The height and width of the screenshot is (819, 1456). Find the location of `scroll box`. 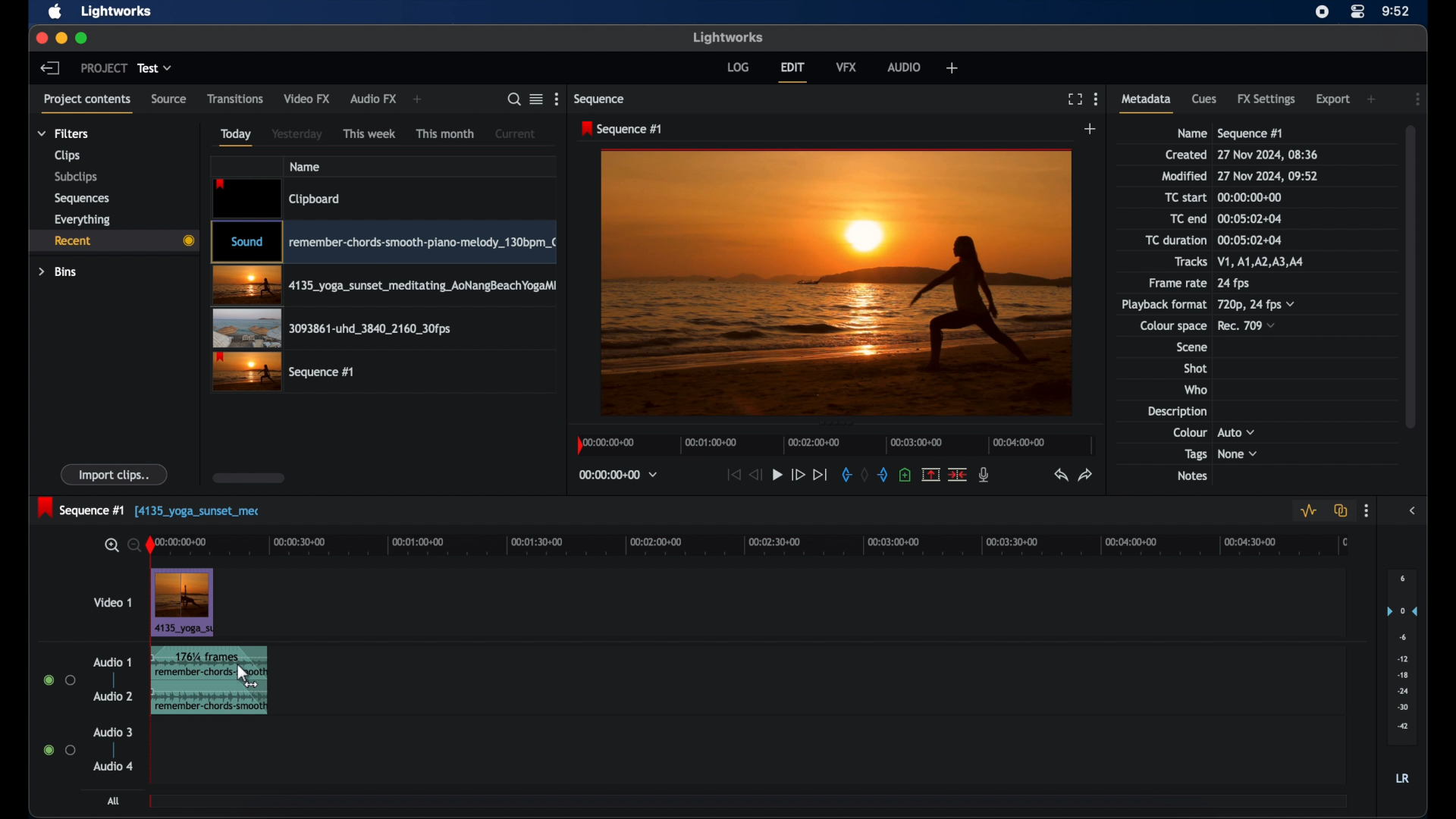

scroll box is located at coordinates (1414, 275).